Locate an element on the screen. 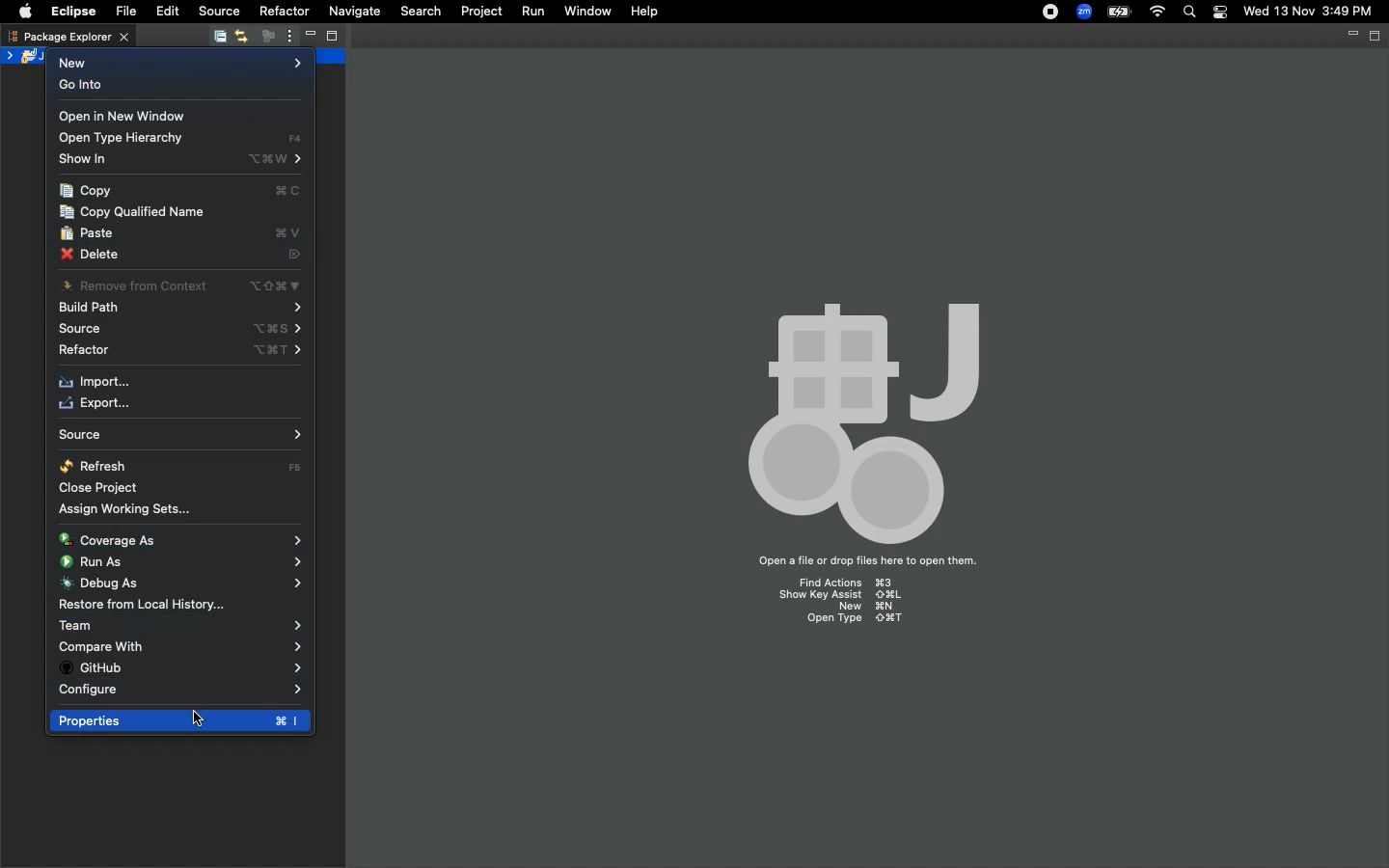  Link with editor is located at coordinates (242, 36).